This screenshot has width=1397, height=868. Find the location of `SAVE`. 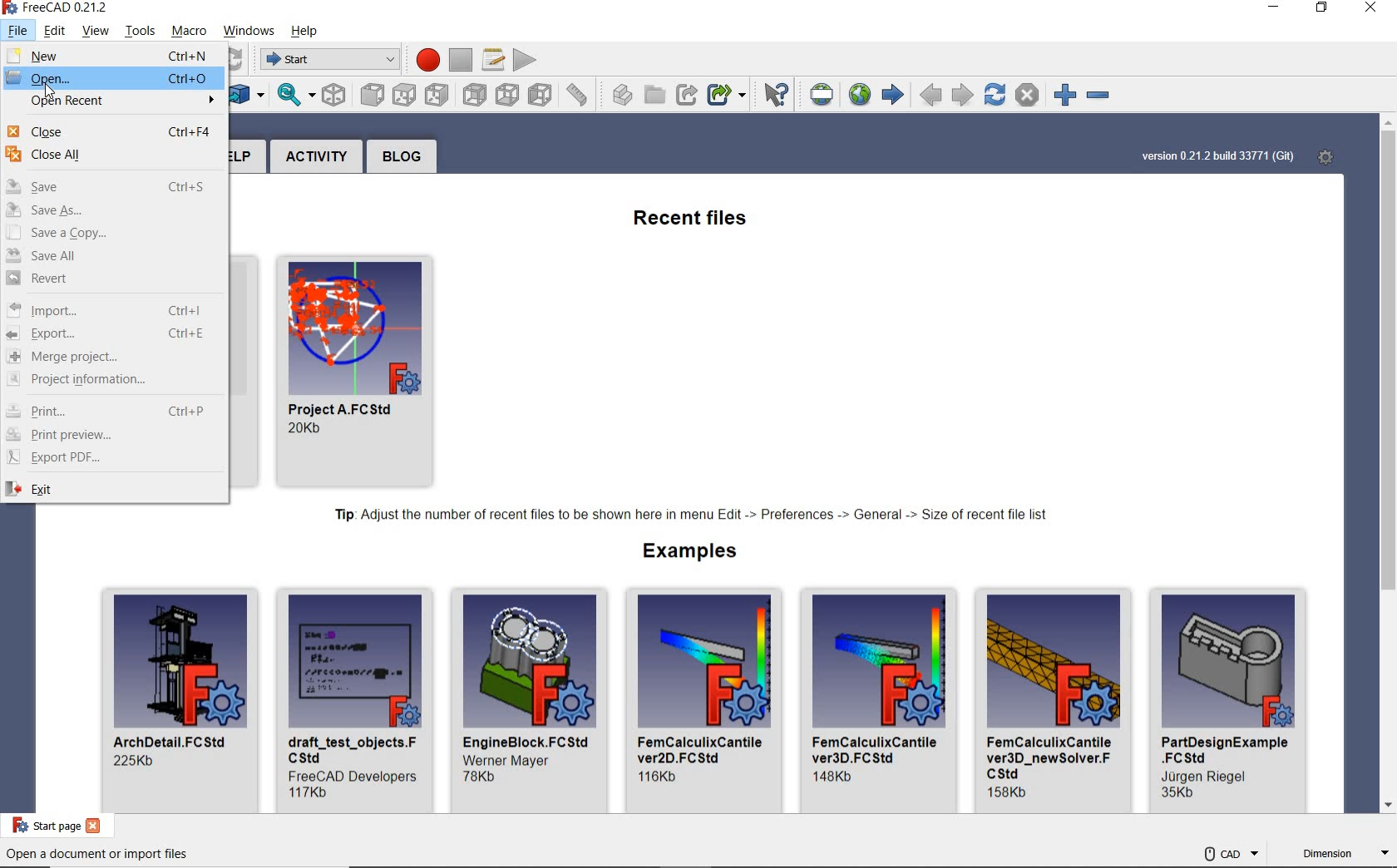

SAVE is located at coordinates (57, 189).